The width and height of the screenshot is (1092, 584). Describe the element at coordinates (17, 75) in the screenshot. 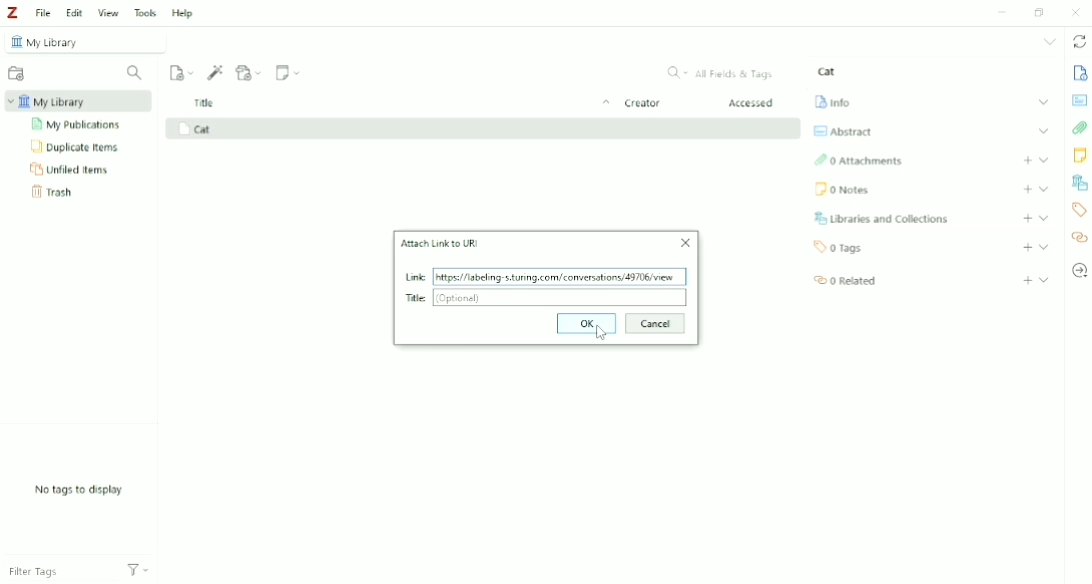

I see `New Collection` at that location.